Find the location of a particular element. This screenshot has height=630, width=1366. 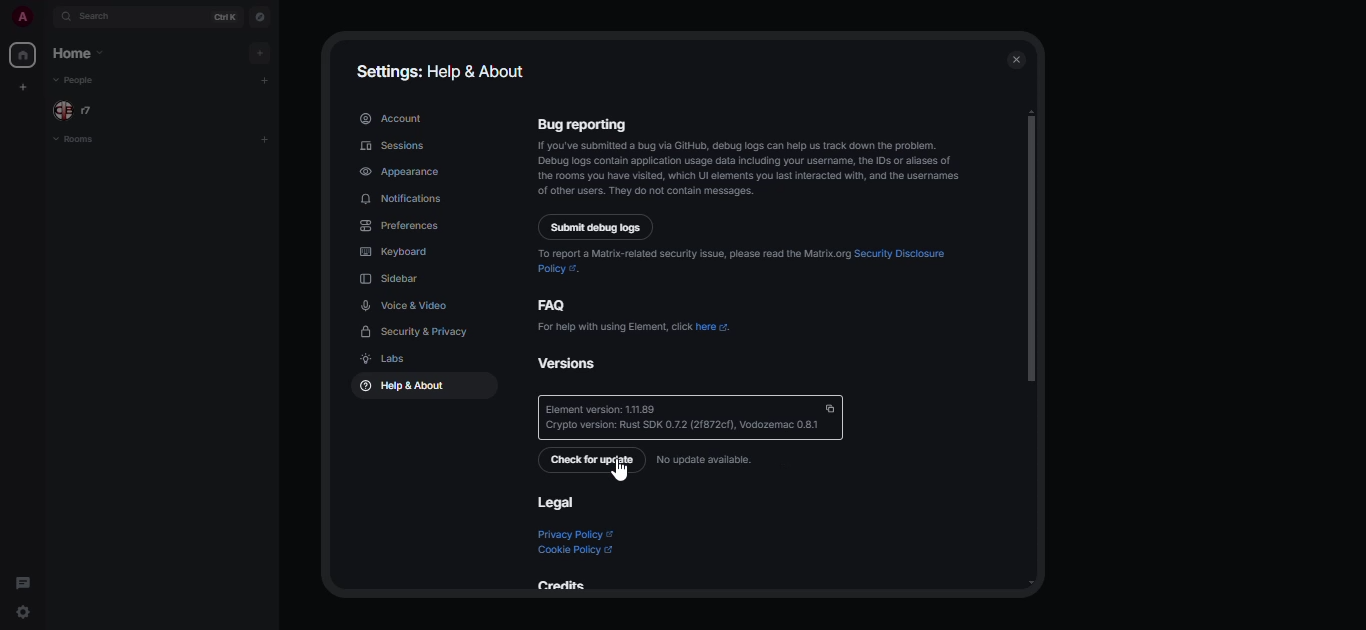

home is located at coordinates (86, 54).